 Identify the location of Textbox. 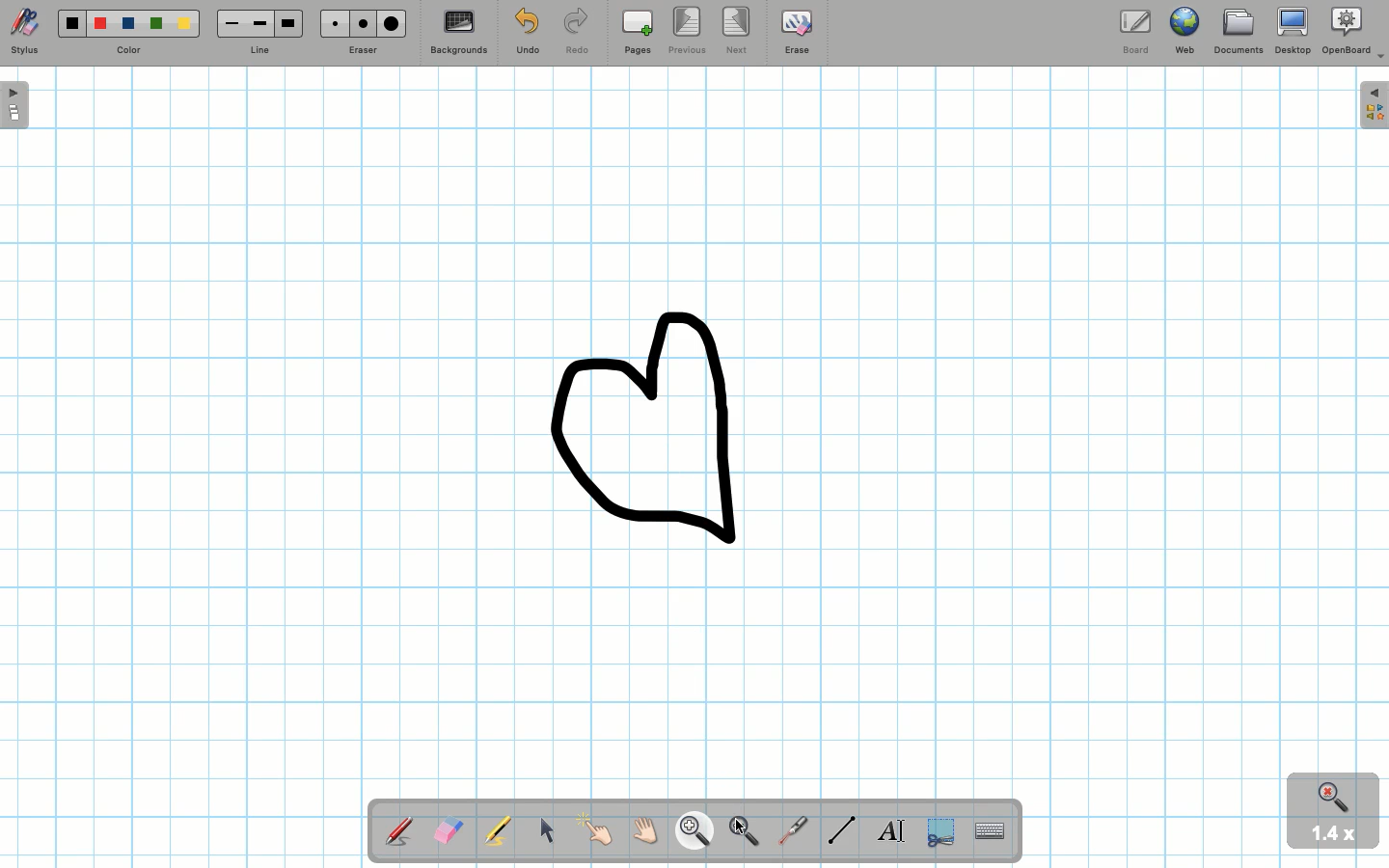
(890, 829).